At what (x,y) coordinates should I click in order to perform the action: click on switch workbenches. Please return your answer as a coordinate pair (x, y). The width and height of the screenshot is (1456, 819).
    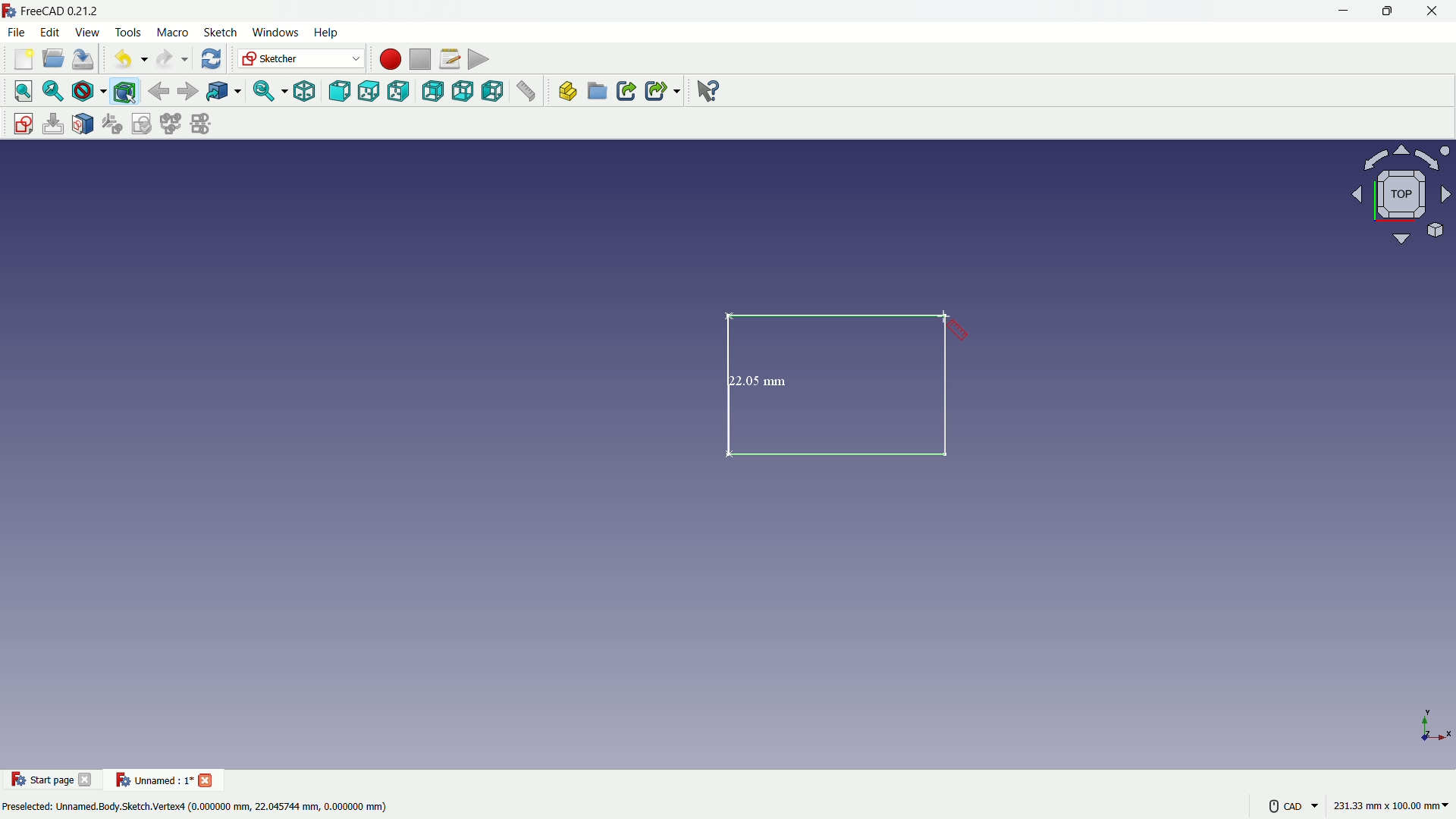
    Looking at the image, I should click on (301, 59).